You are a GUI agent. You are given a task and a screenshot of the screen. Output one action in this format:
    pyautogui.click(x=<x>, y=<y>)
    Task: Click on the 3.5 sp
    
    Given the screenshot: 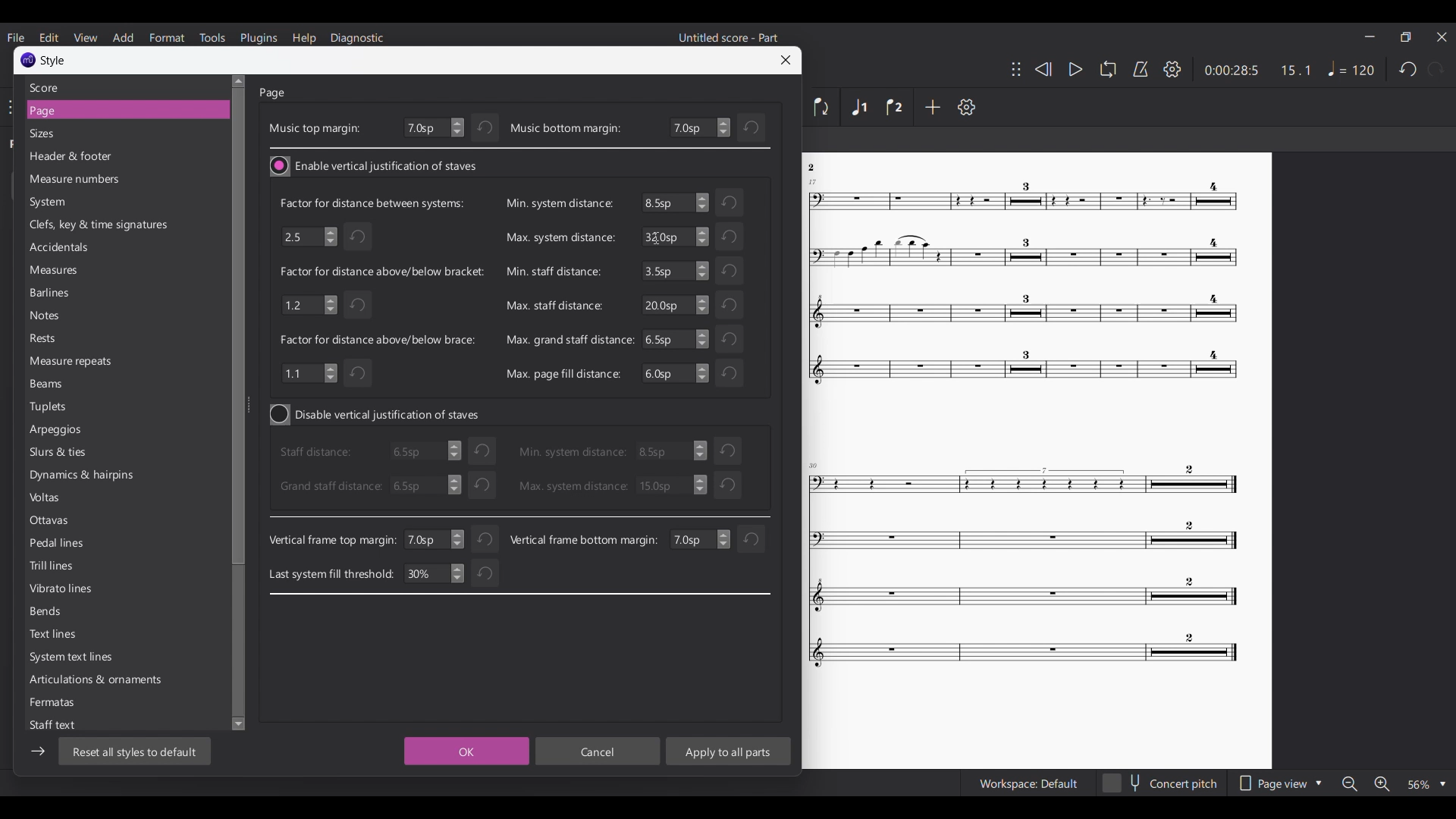 What is the action you would take?
    pyautogui.click(x=674, y=452)
    